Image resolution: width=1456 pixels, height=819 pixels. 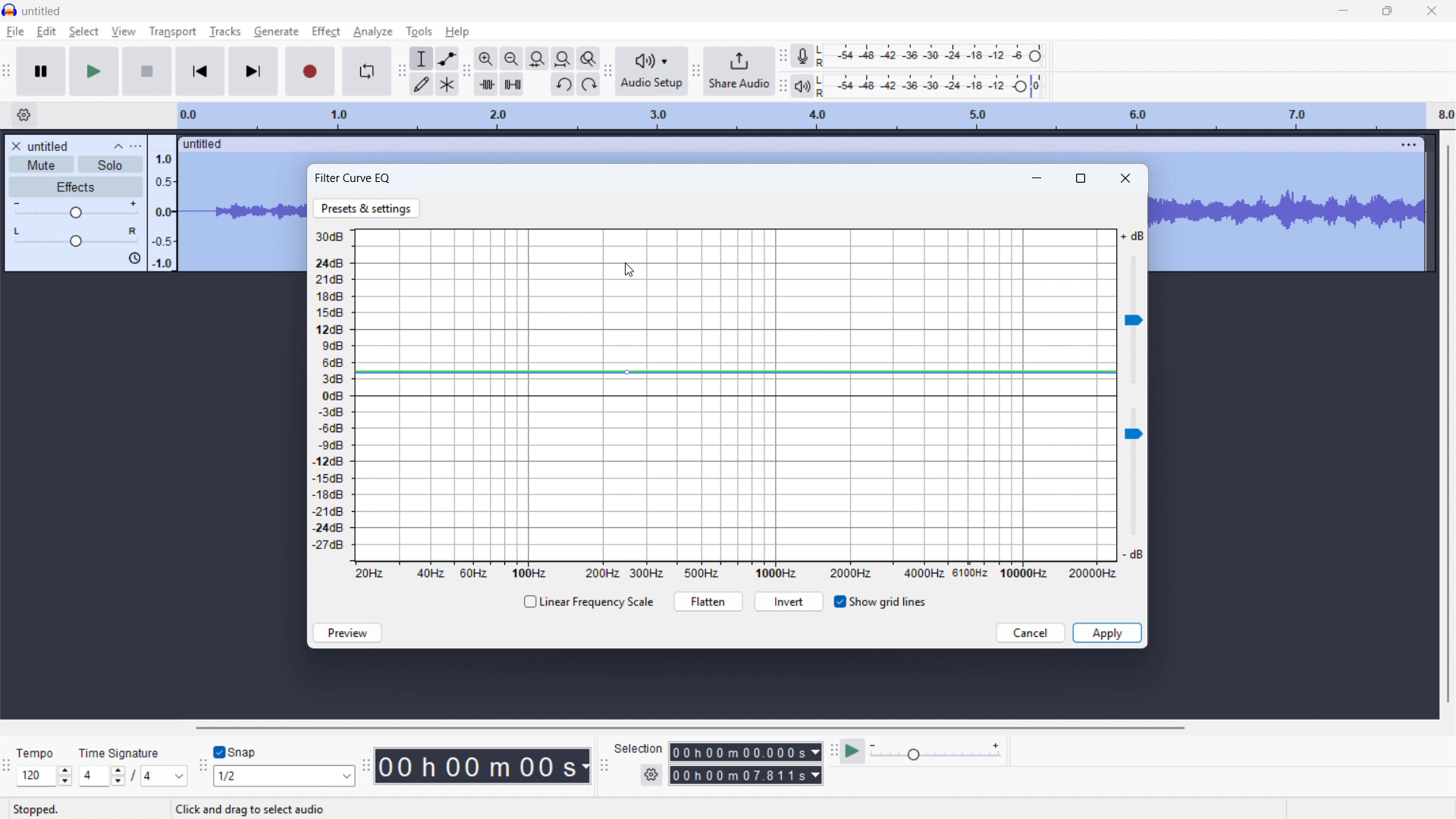 What do you see at coordinates (485, 766) in the screenshot?
I see `Timestamp ` at bounding box center [485, 766].